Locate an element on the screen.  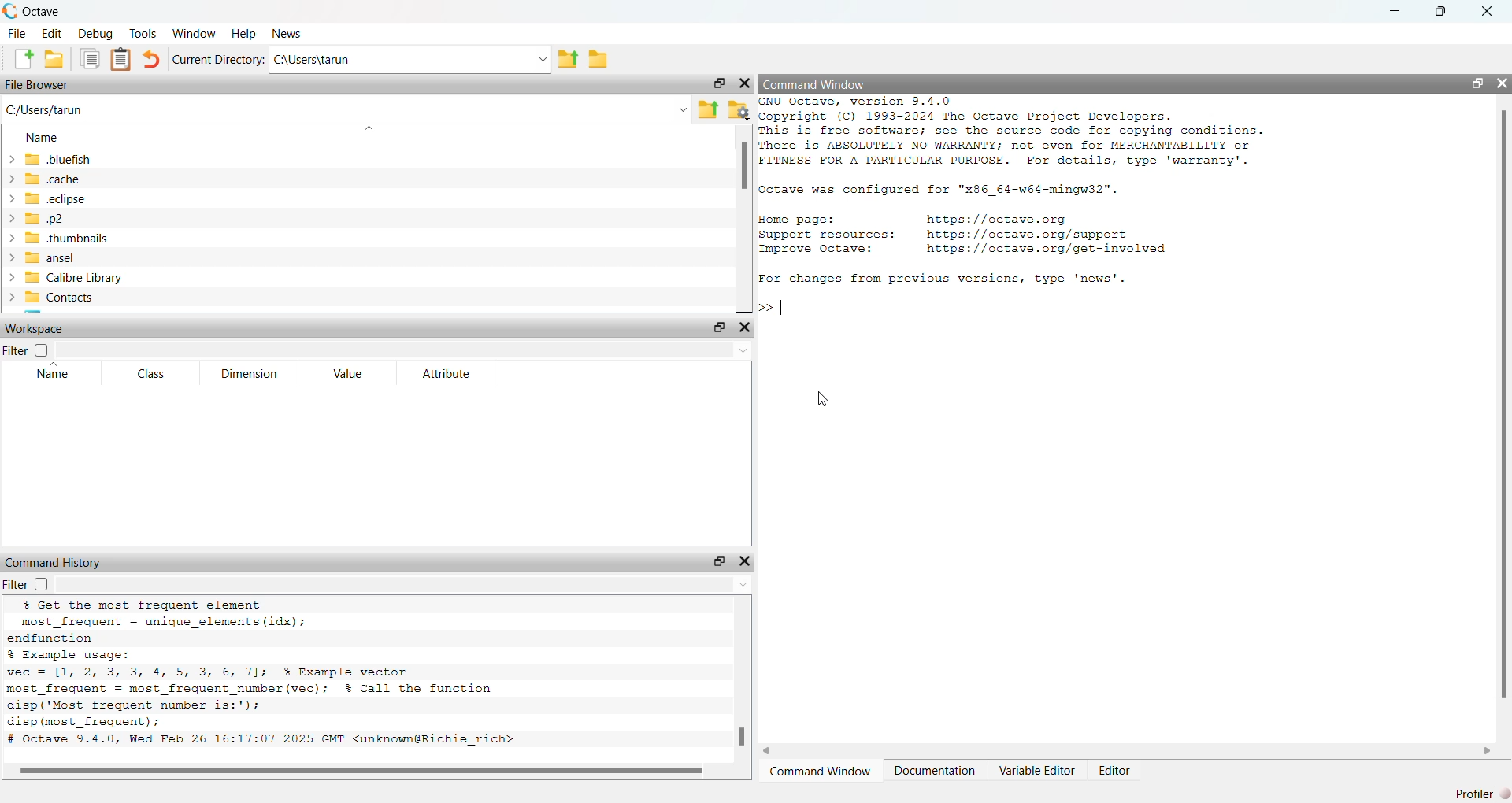
expand/collapse is located at coordinates (11, 277).